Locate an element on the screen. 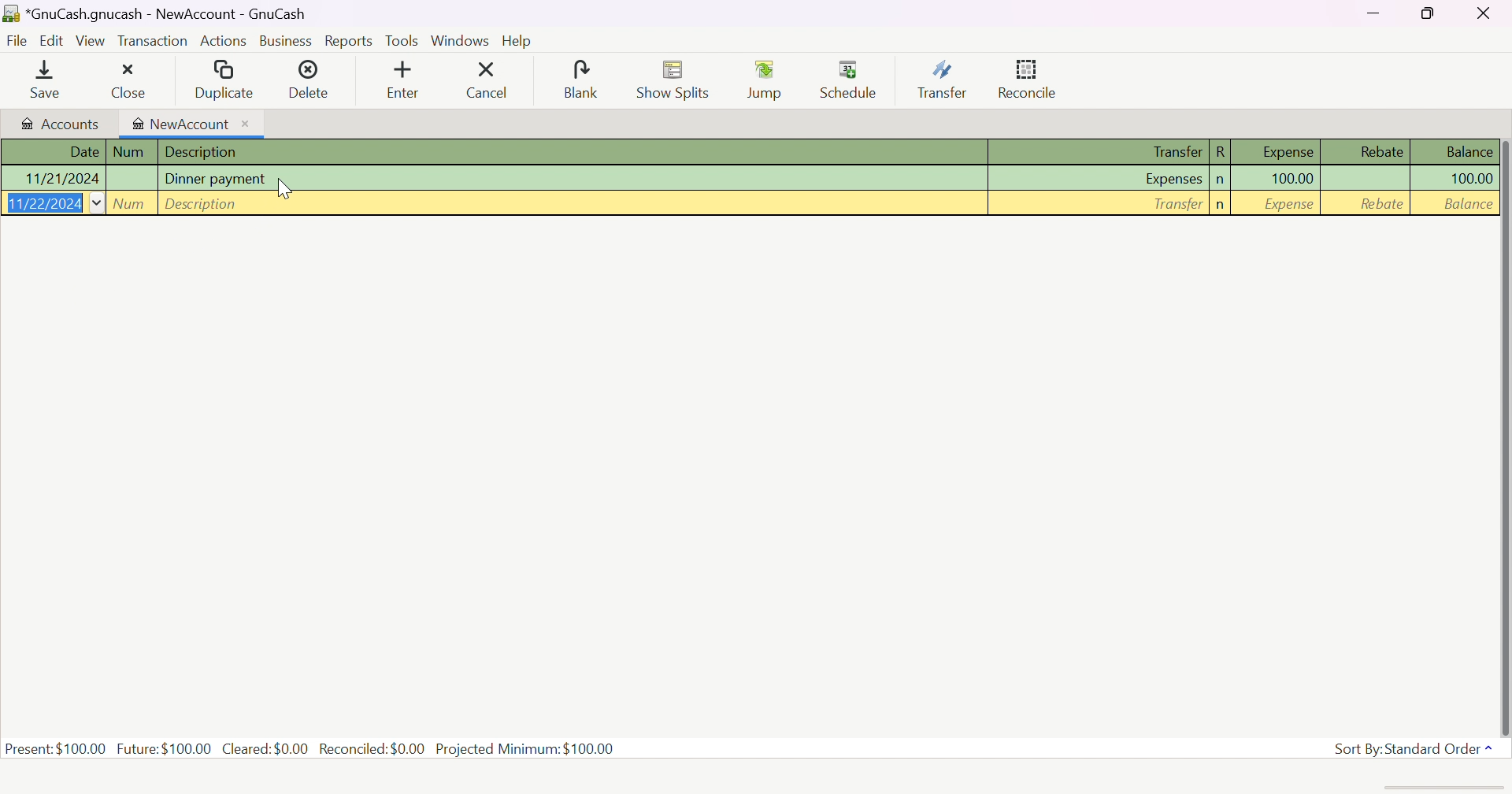 The width and height of the screenshot is (1512, 794). Tools is located at coordinates (402, 42).